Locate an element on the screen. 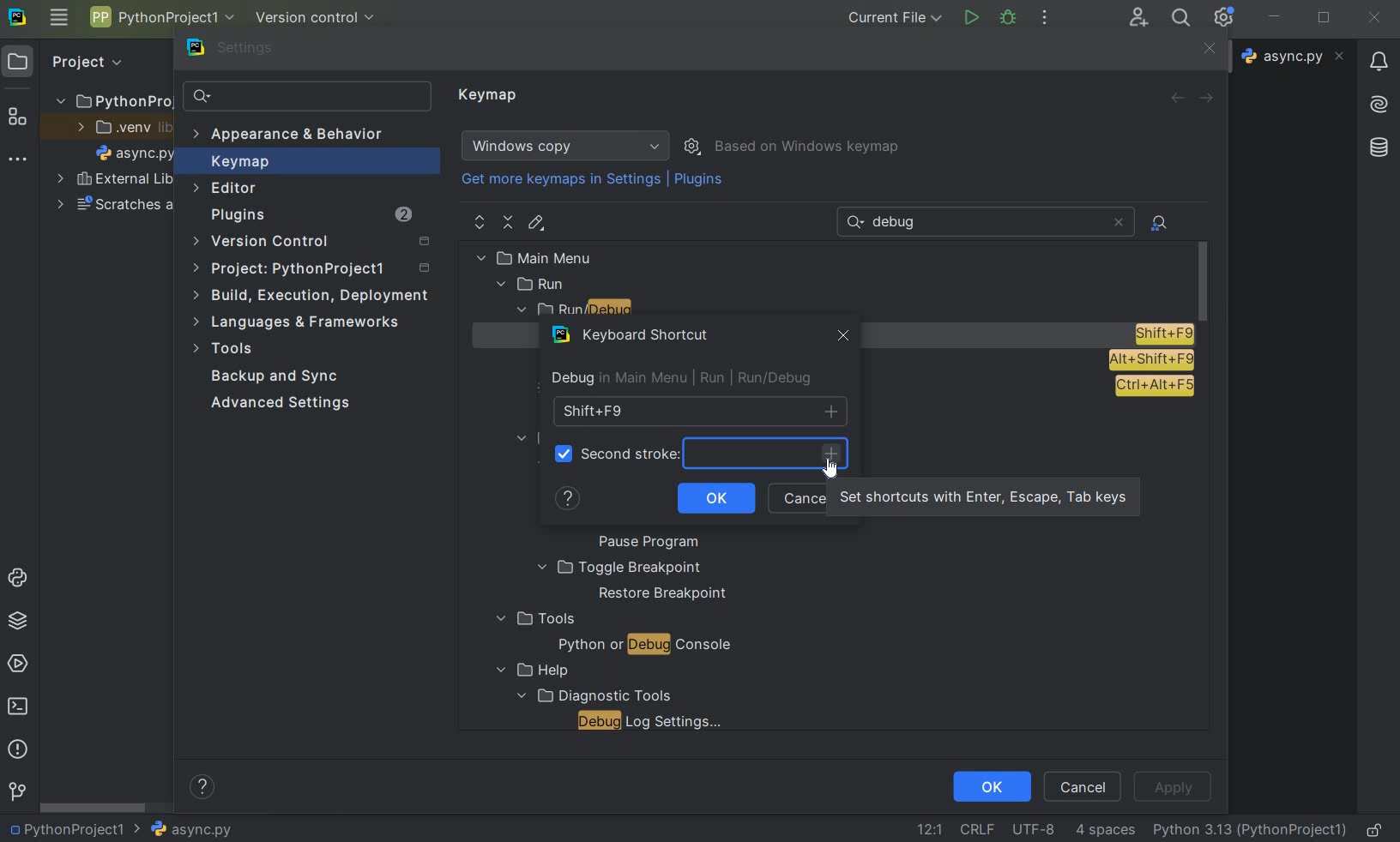  code with me is located at coordinates (1138, 16).